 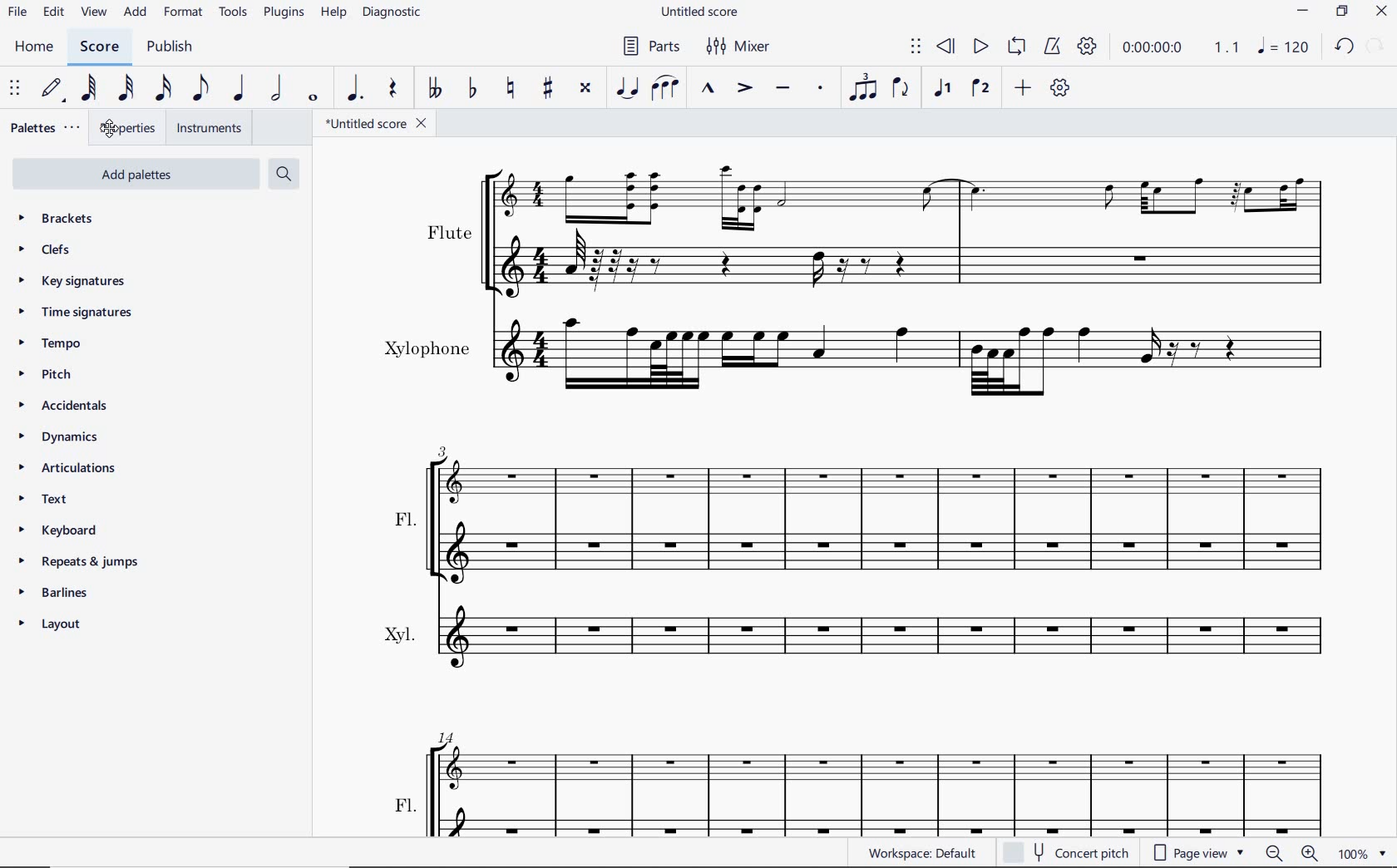 What do you see at coordinates (99, 47) in the screenshot?
I see `SCORE` at bounding box center [99, 47].